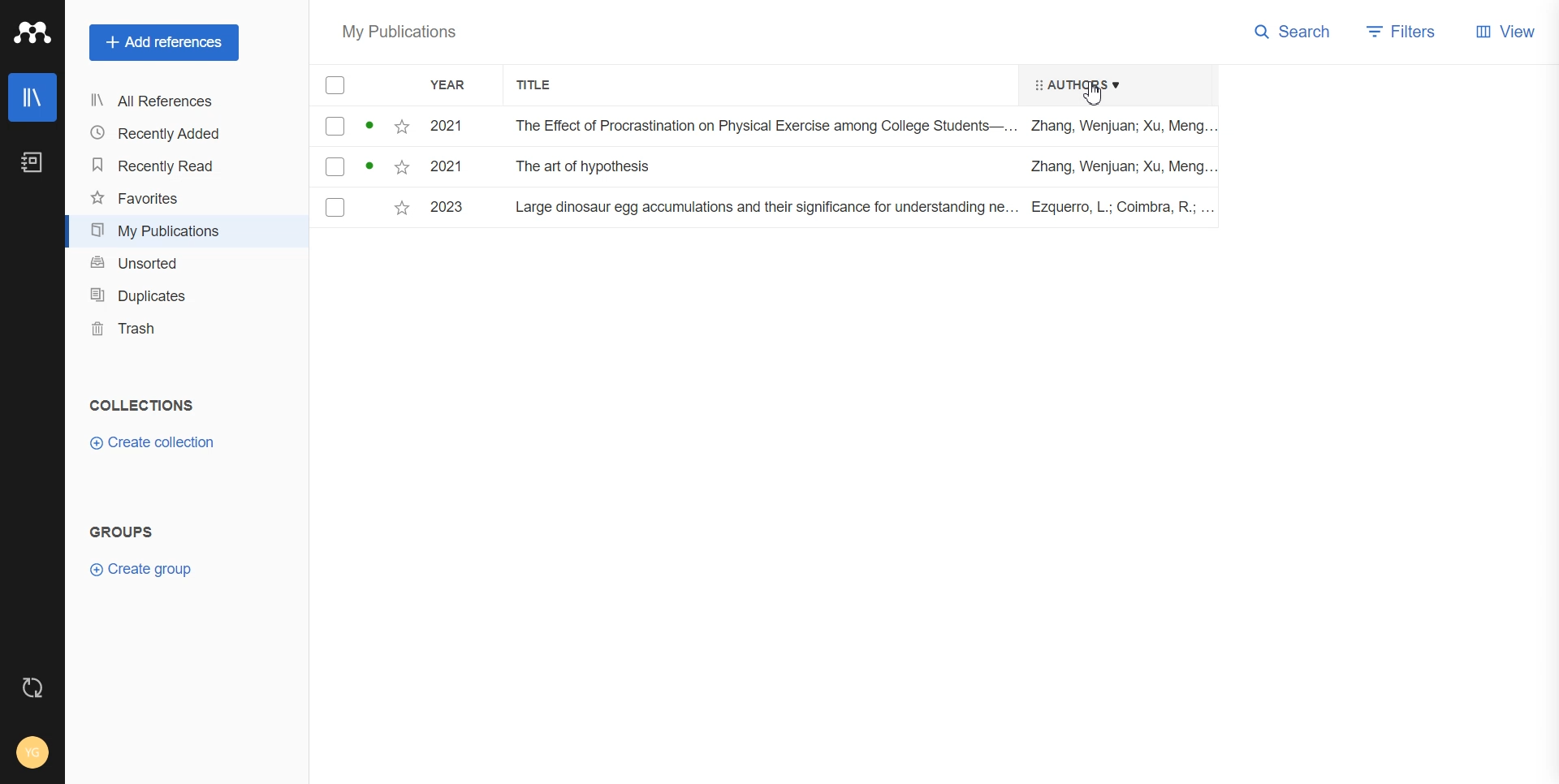 This screenshot has width=1559, height=784. Describe the element at coordinates (33, 32) in the screenshot. I see `Logo` at that location.